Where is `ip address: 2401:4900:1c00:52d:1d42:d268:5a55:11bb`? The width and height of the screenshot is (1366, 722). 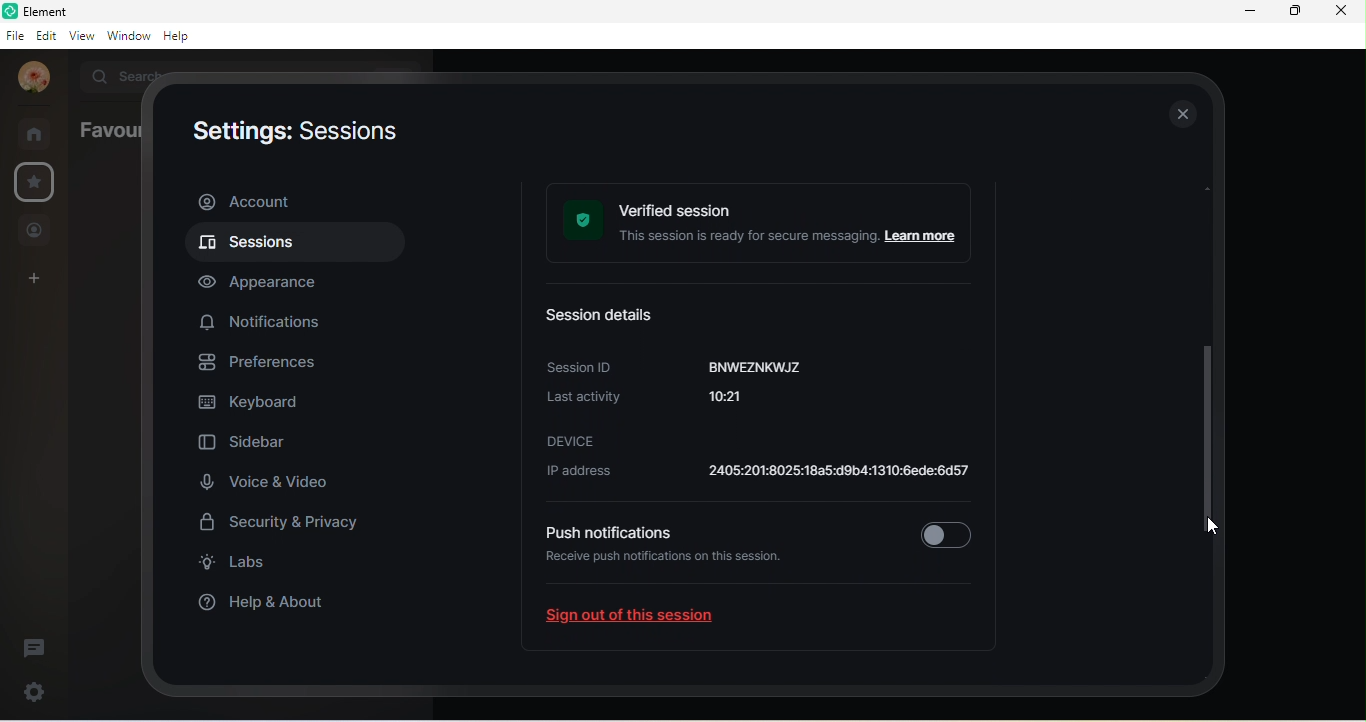 ip address: 2401:4900:1c00:52d:1d42:d268:5a55:11bb is located at coordinates (753, 474).